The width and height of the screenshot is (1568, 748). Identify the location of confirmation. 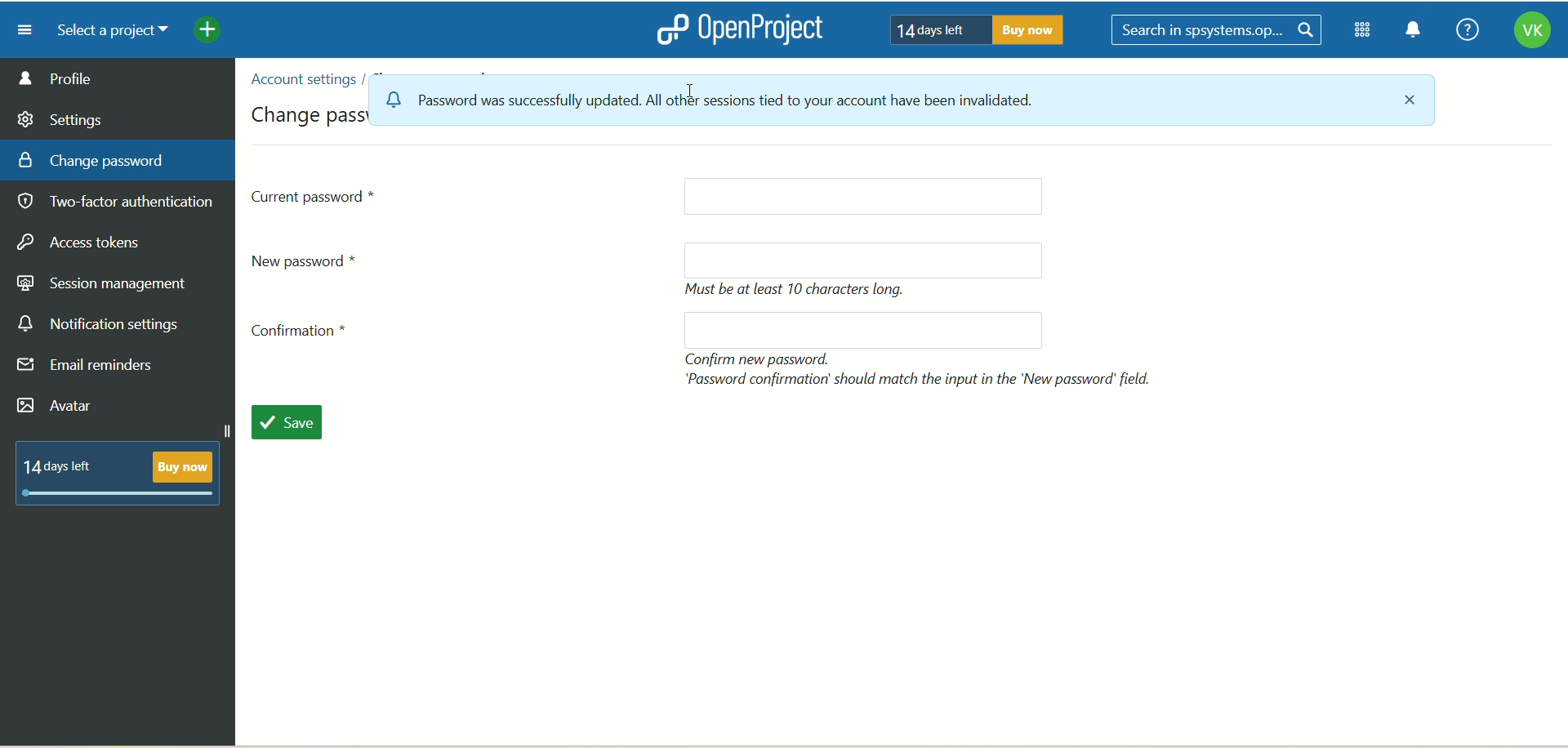
(305, 335).